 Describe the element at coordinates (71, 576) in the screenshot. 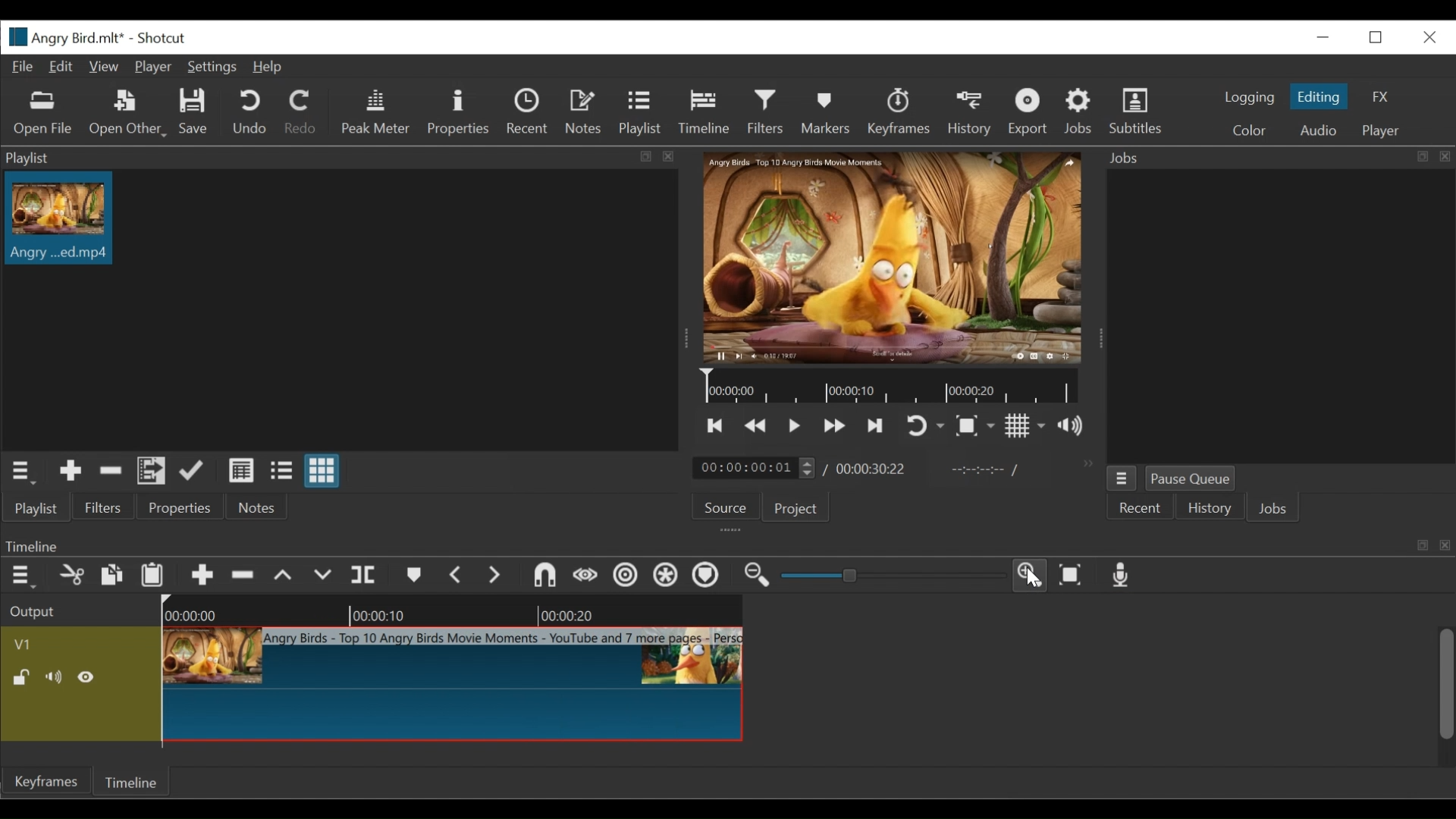

I see `cut` at that location.